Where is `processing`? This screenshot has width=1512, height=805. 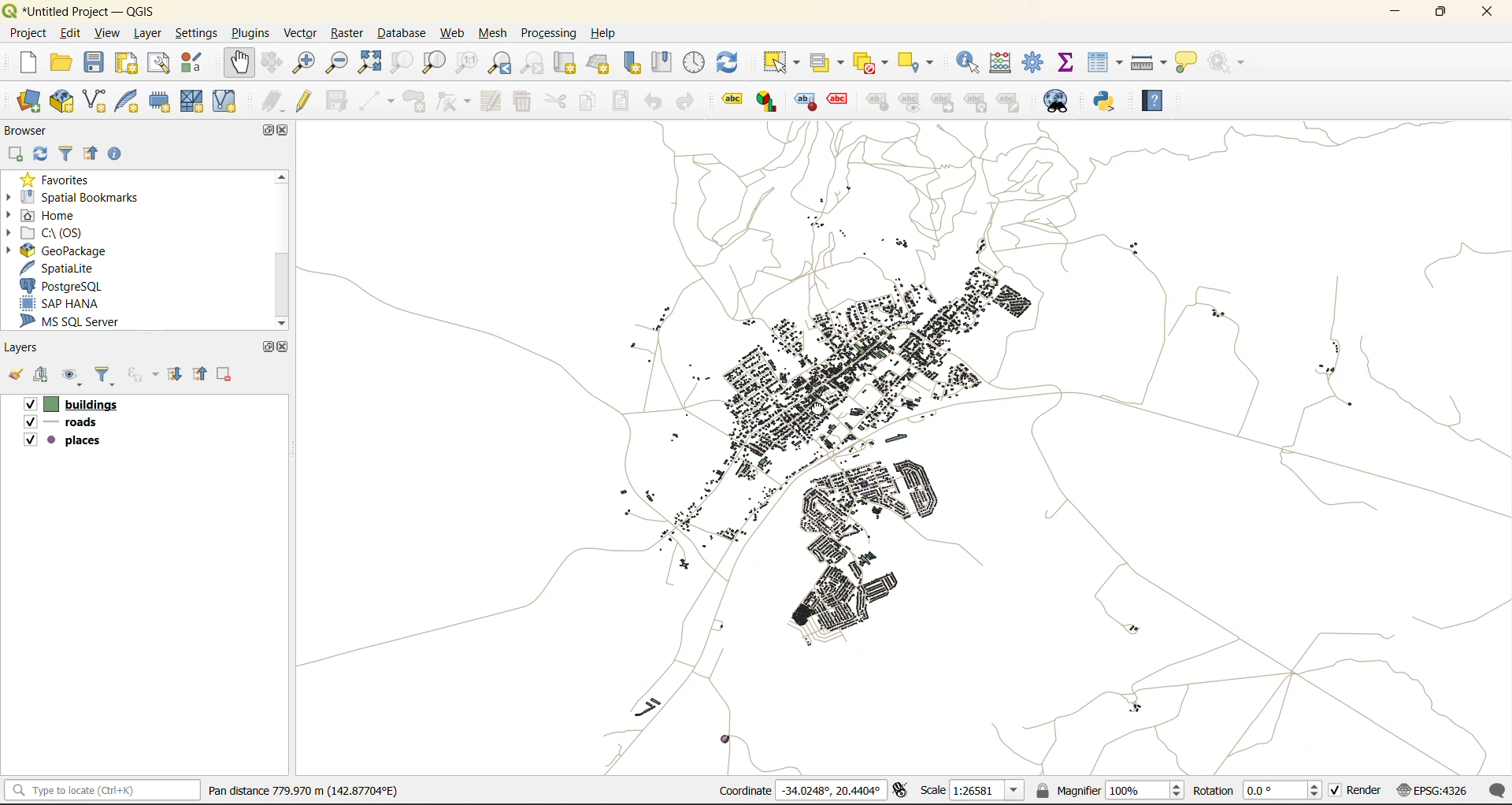
processing is located at coordinates (548, 34).